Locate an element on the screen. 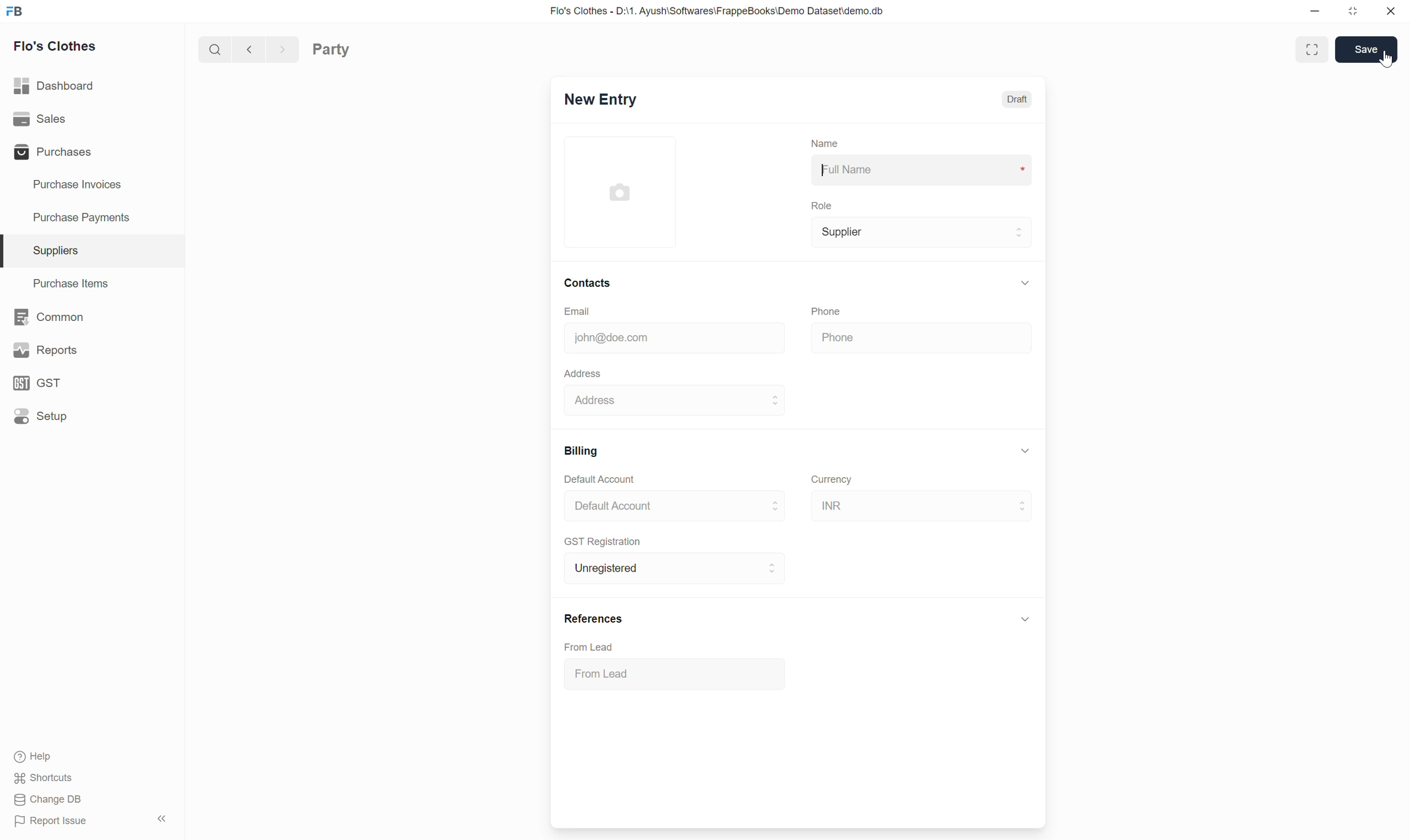 This screenshot has height=840, width=1410. Default Account is located at coordinates (600, 478).